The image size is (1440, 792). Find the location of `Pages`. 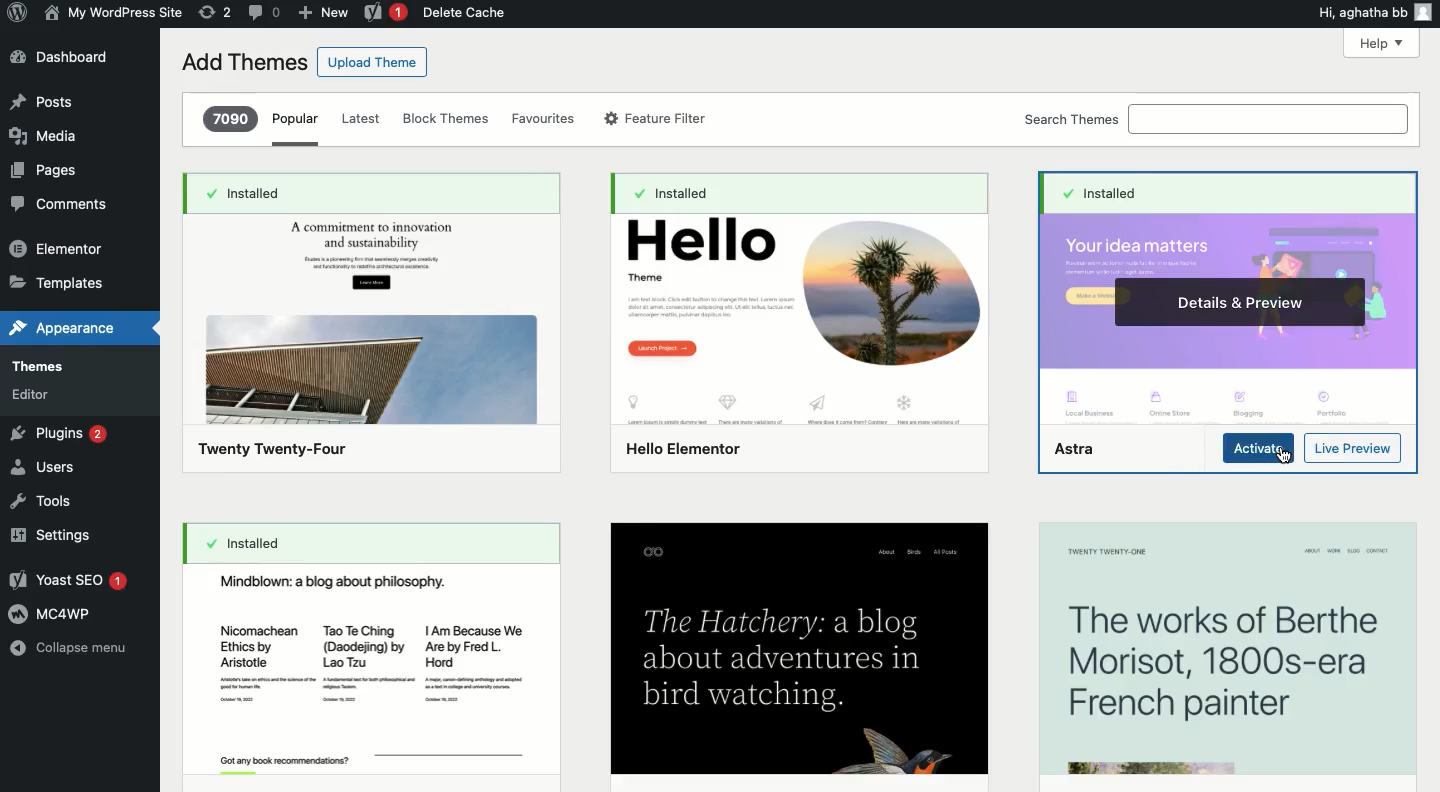

Pages is located at coordinates (43, 172).